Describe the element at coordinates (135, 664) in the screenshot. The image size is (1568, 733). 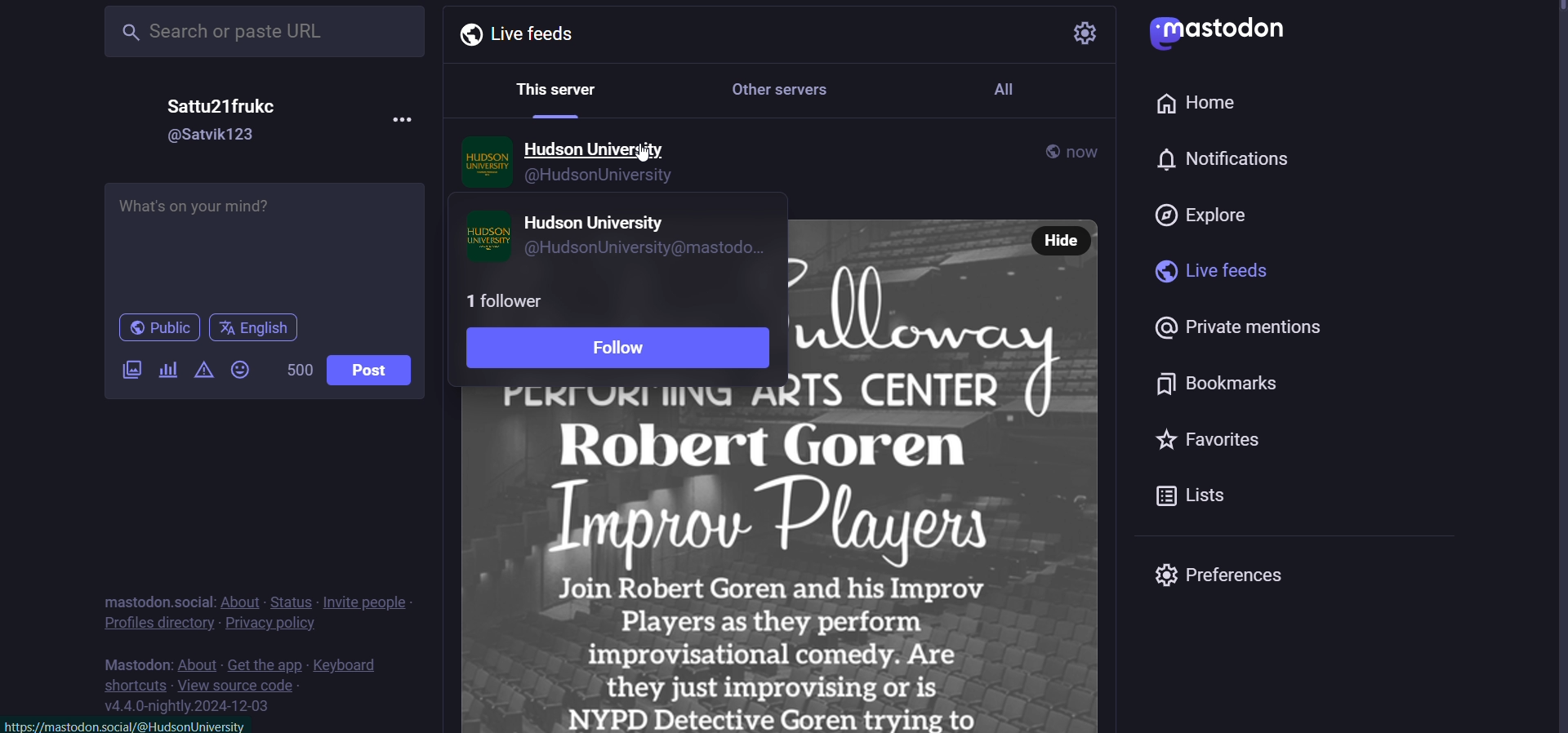
I see `mastodon` at that location.